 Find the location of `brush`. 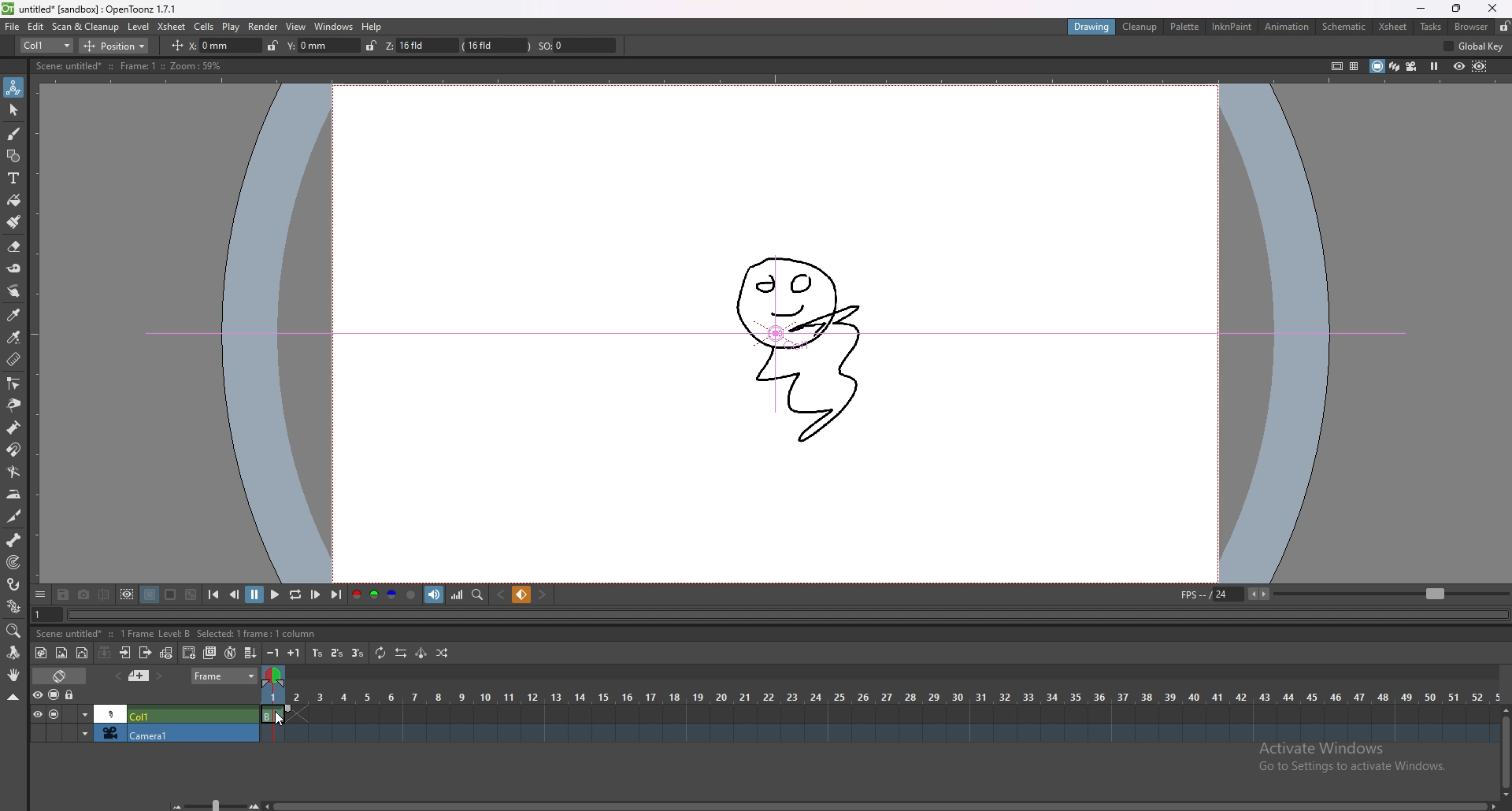

brush is located at coordinates (14, 222).